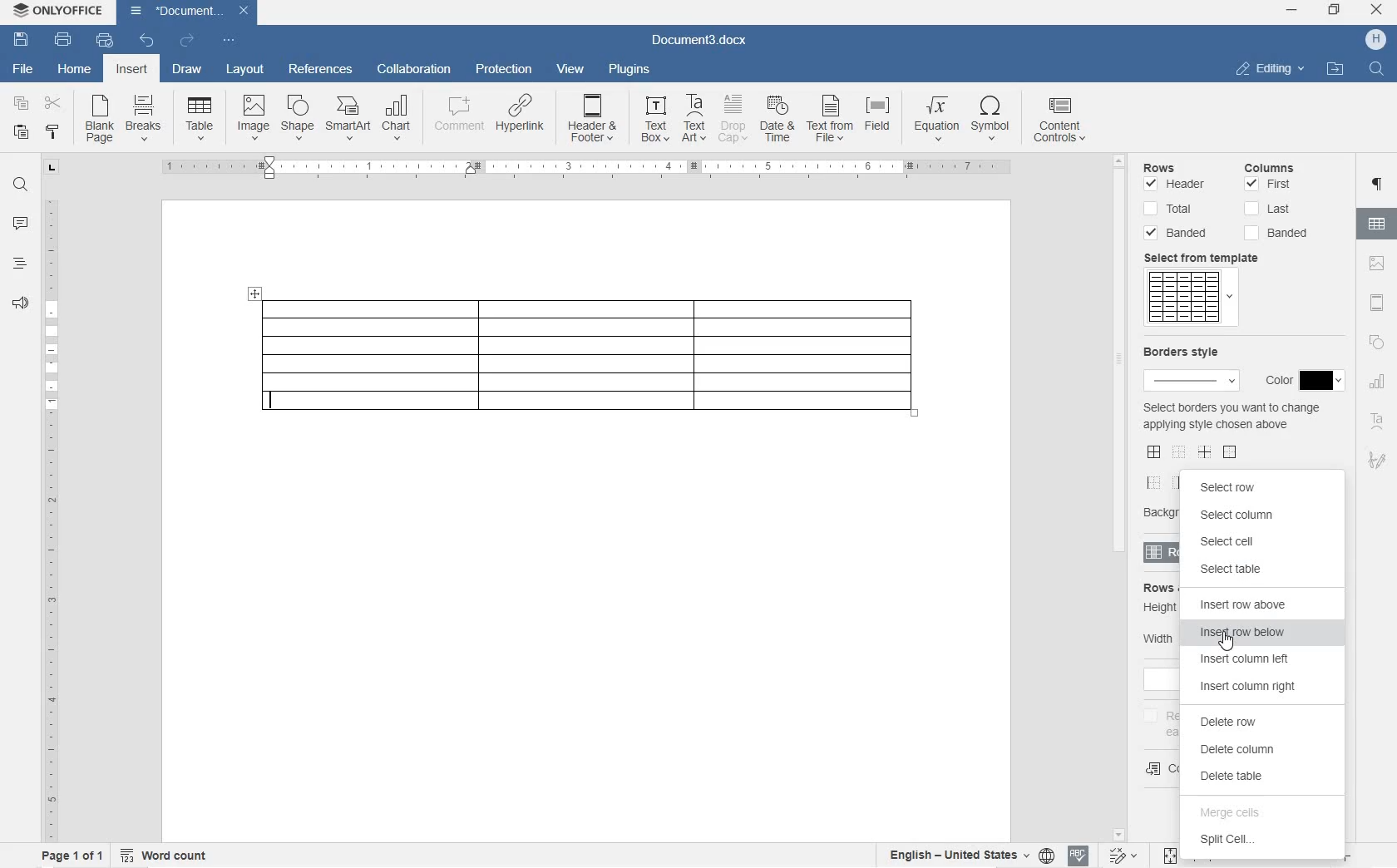  What do you see at coordinates (1303, 378) in the screenshot?
I see `Border Style Color` at bounding box center [1303, 378].